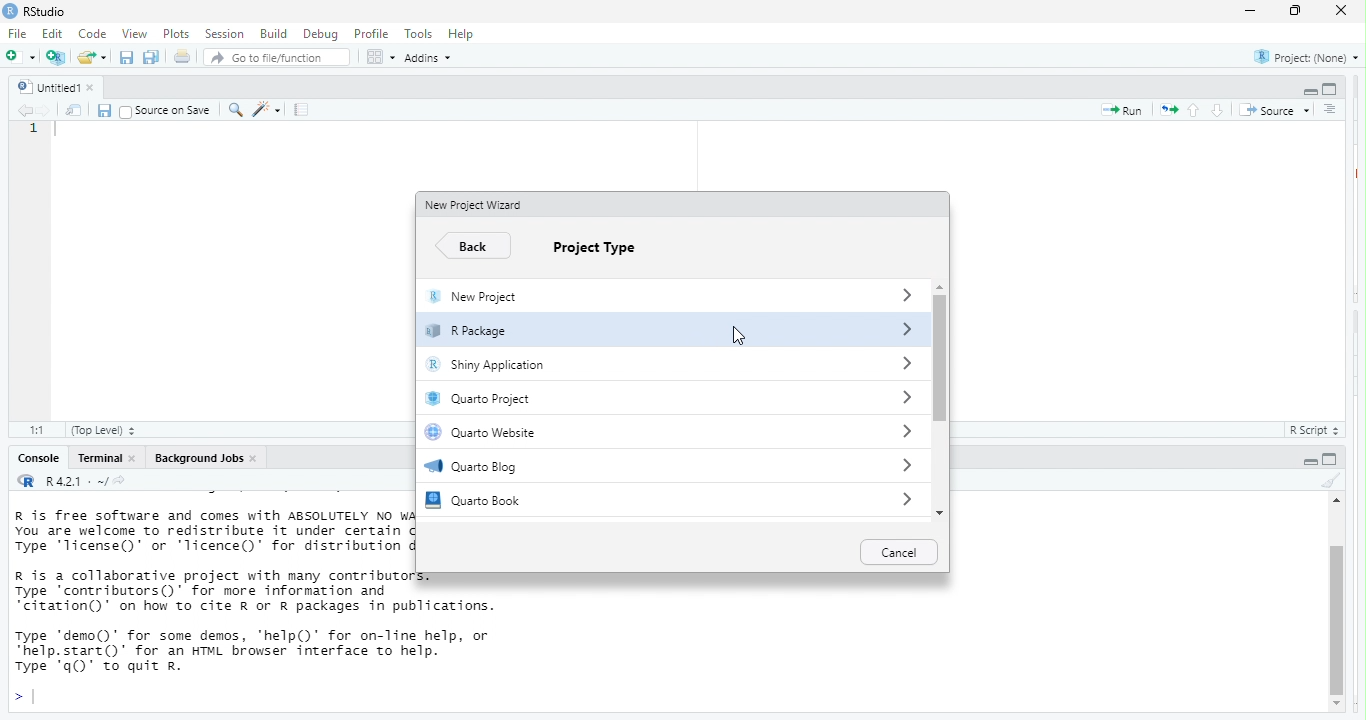  What do you see at coordinates (198, 459) in the screenshot?
I see `Background Jobs` at bounding box center [198, 459].